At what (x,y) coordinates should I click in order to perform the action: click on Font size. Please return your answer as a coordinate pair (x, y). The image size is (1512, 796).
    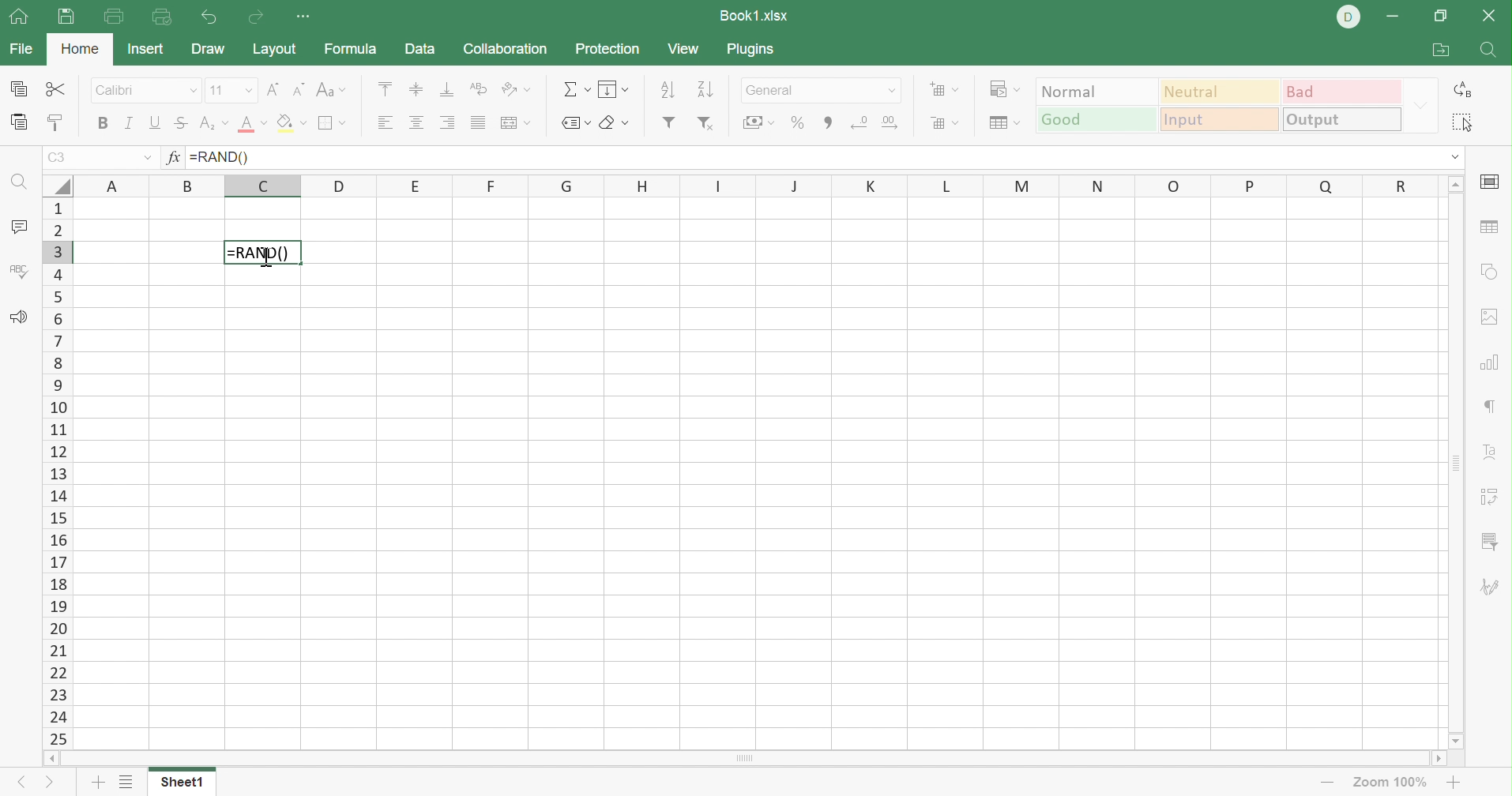
    Looking at the image, I should click on (232, 91).